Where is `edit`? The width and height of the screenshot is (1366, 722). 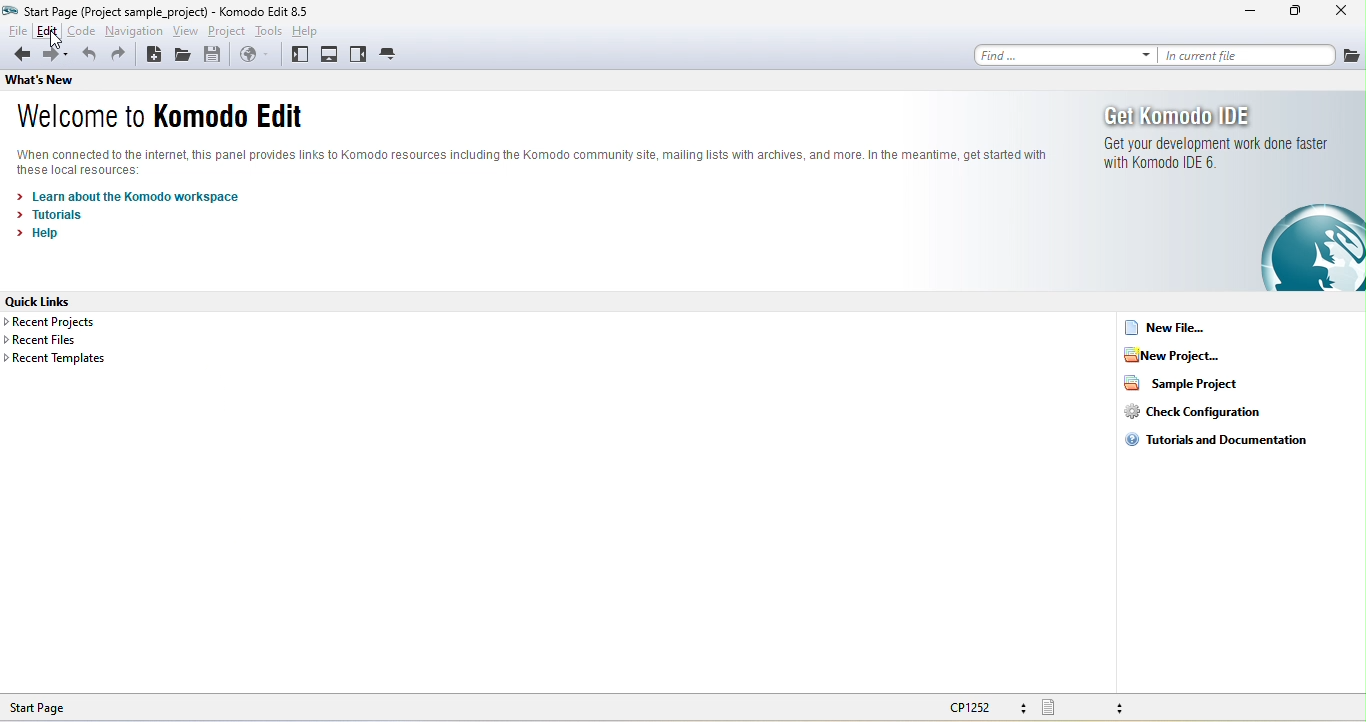
edit is located at coordinates (47, 31).